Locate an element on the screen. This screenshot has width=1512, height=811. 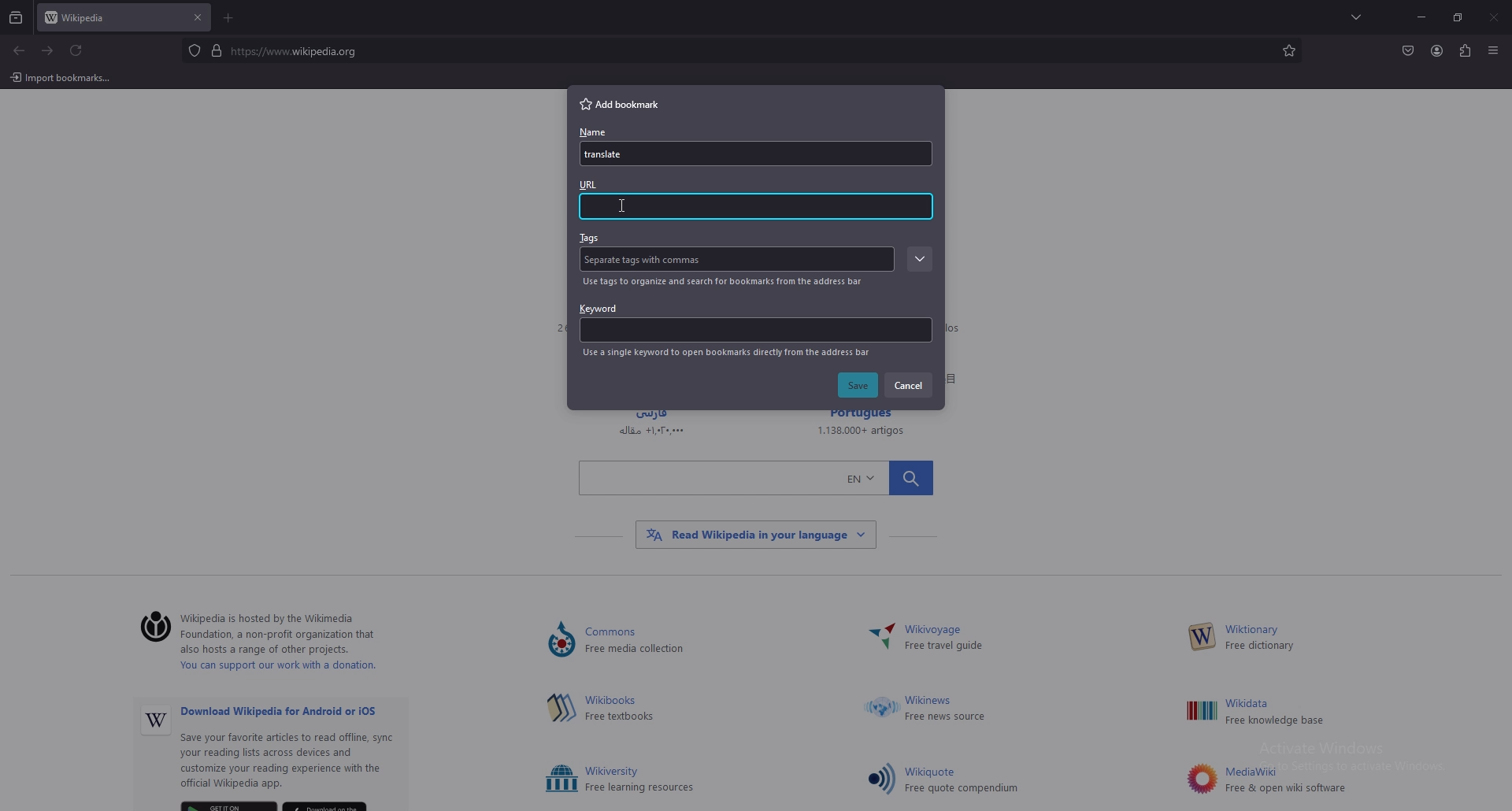
list all tabs is located at coordinates (1361, 16).